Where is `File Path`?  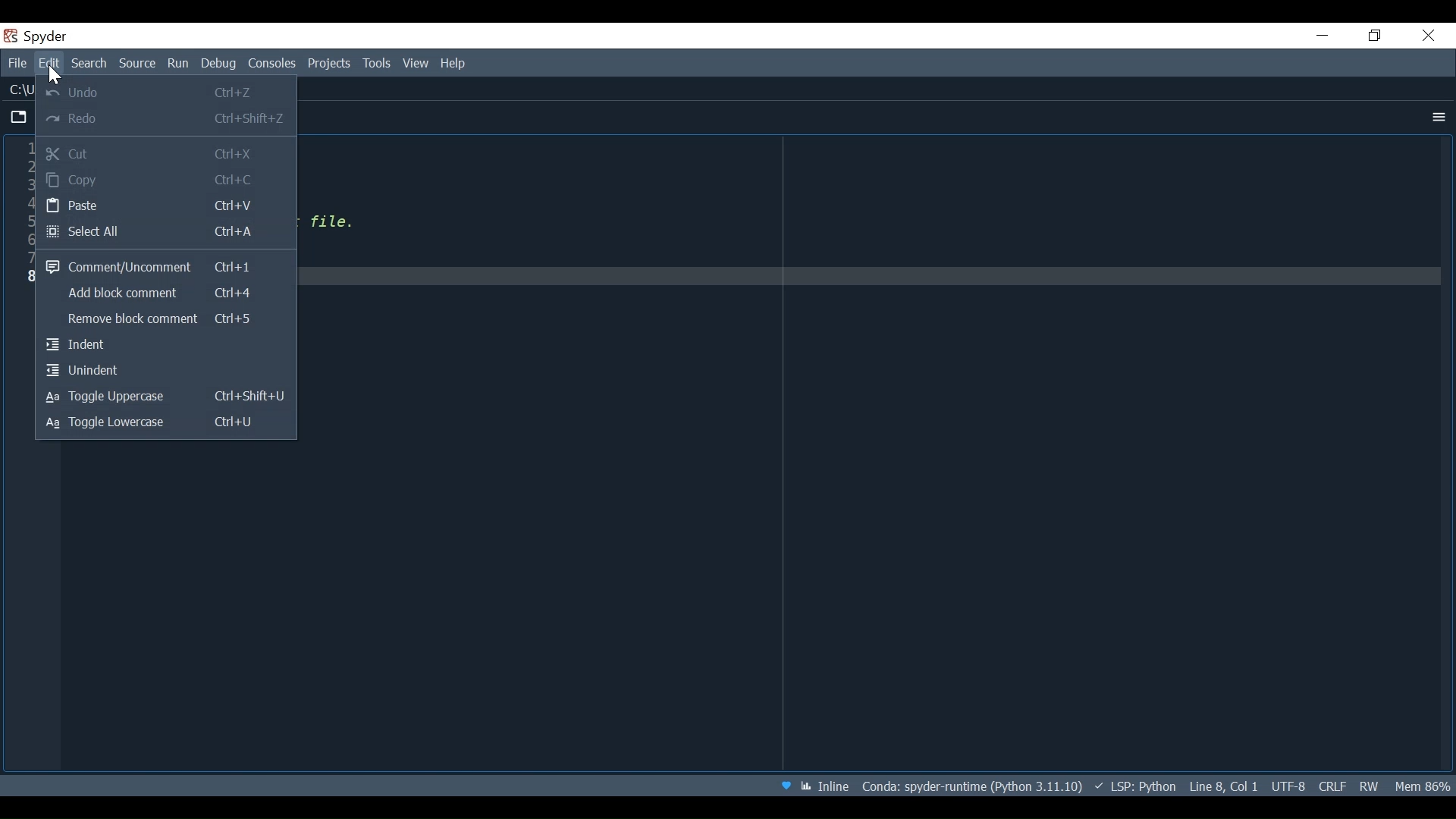
File Path is located at coordinates (971, 785).